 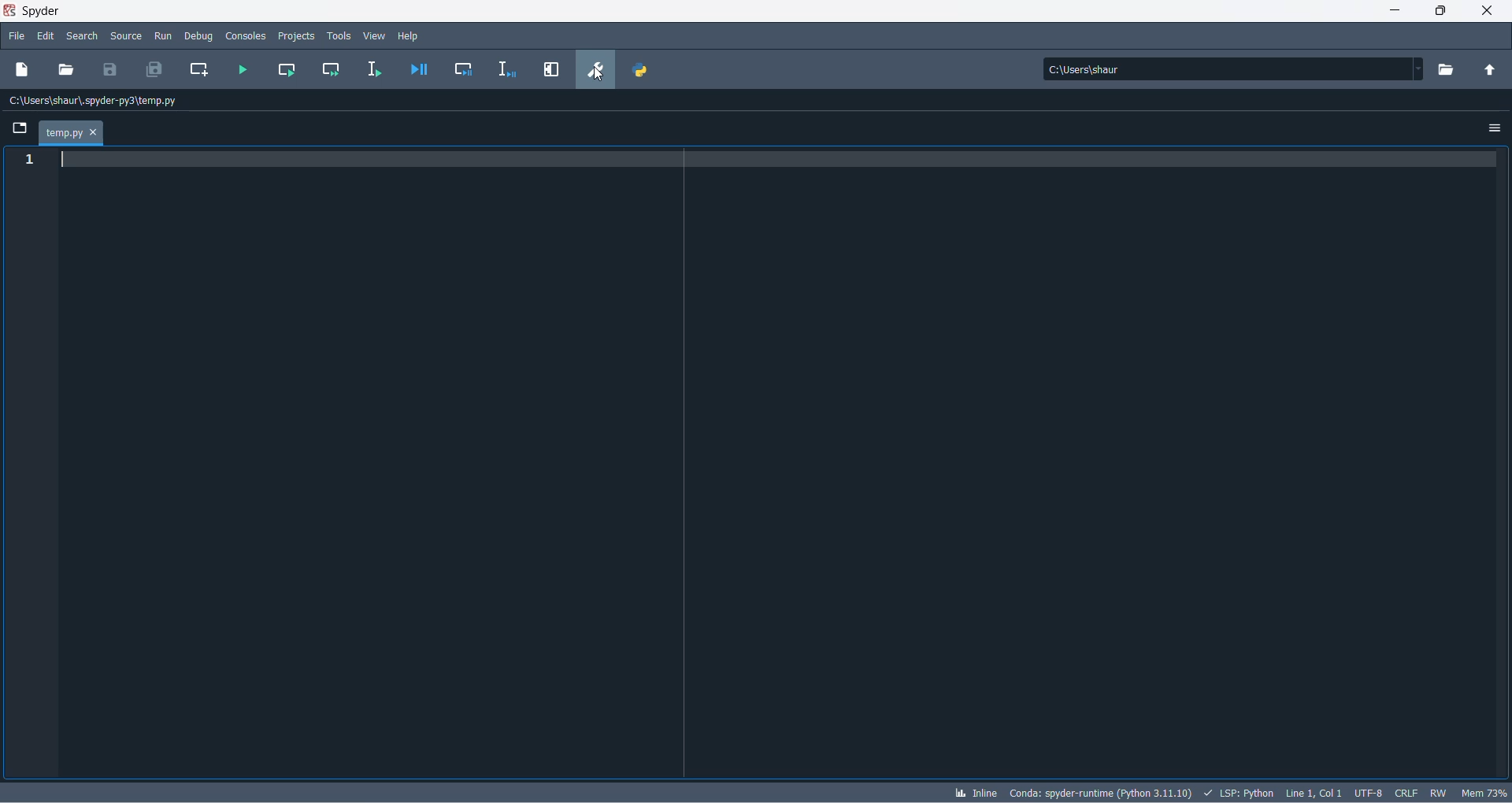 I want to click on run current cell, so click(x=287, y=68).